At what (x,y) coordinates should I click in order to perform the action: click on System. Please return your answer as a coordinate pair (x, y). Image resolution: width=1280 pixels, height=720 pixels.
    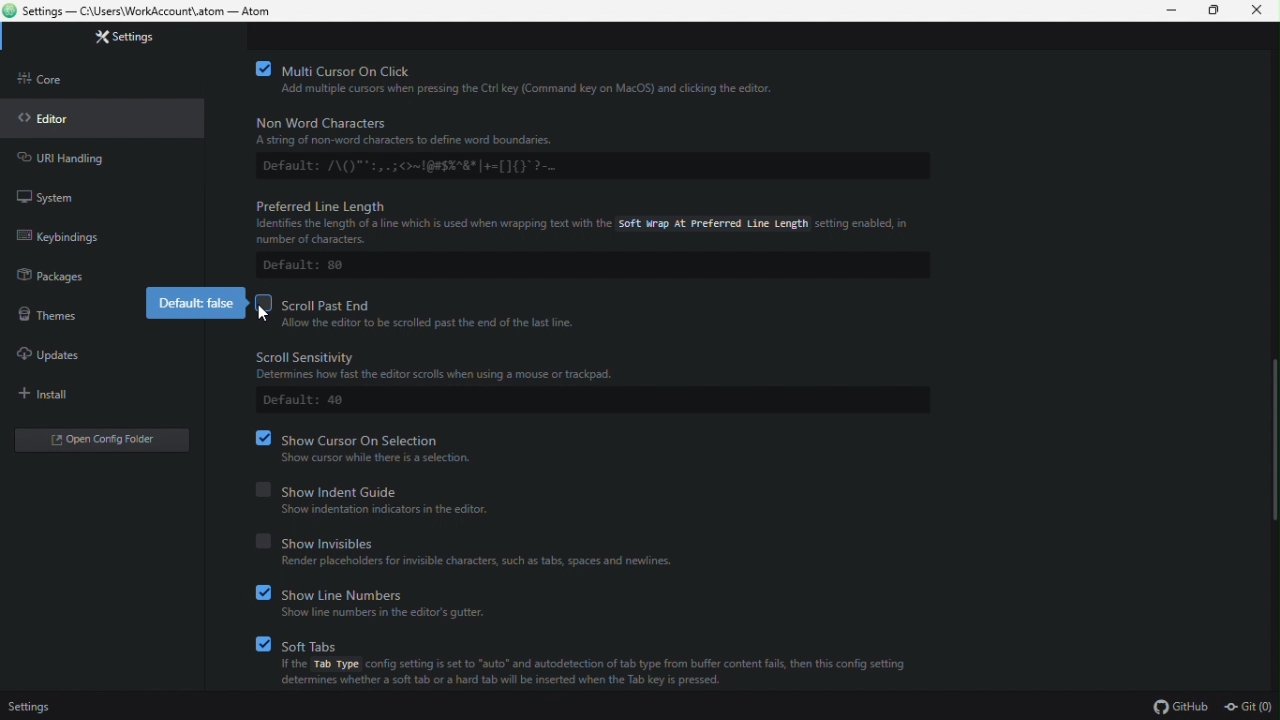
    Looking at the image, I should click on (55, 197).